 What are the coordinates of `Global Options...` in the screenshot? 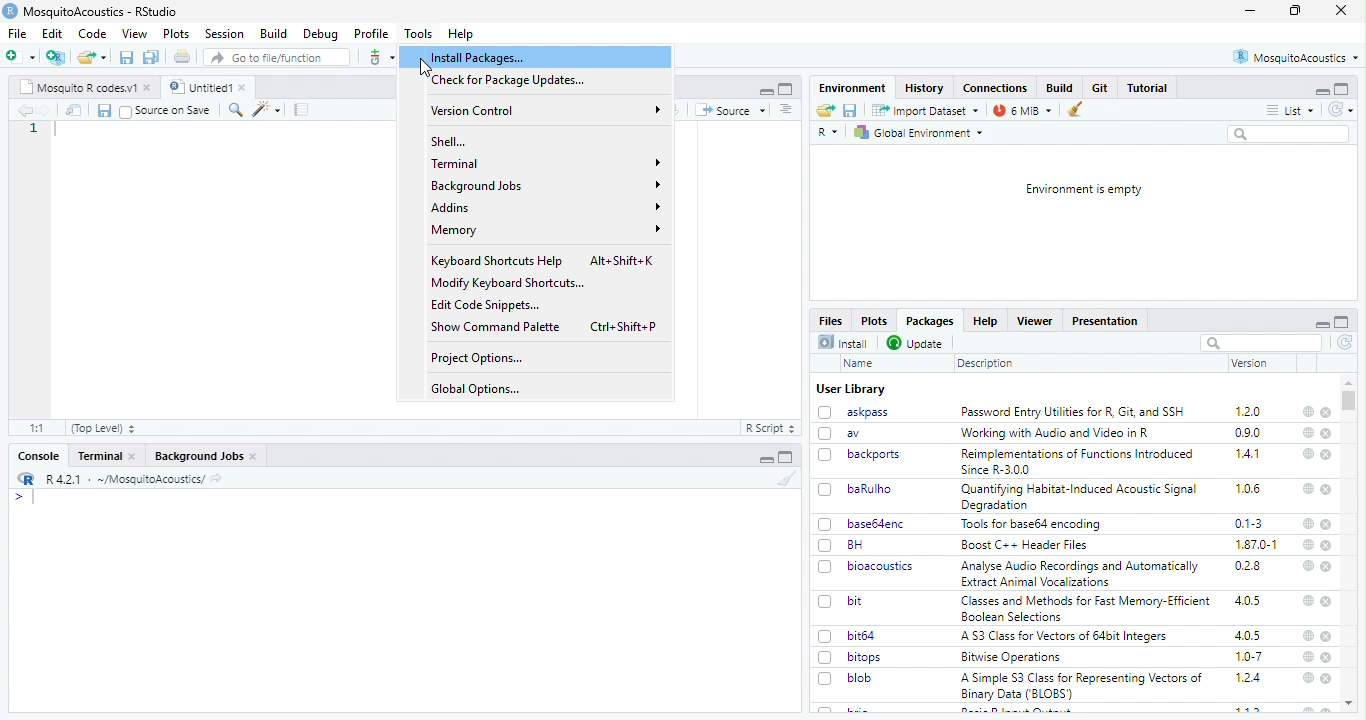 It's located at (478, 389).